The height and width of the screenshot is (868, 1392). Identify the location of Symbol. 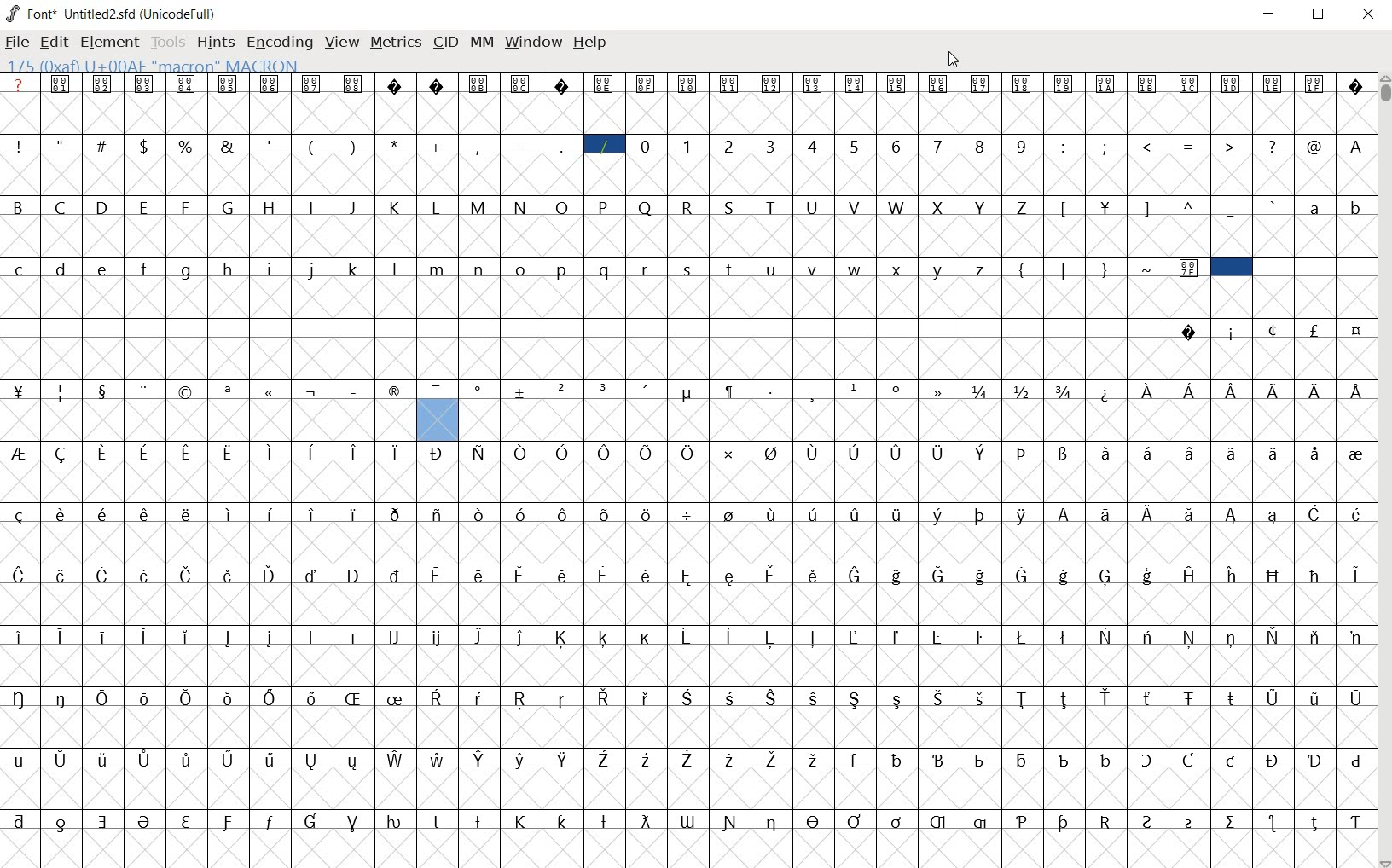
(603, 638).